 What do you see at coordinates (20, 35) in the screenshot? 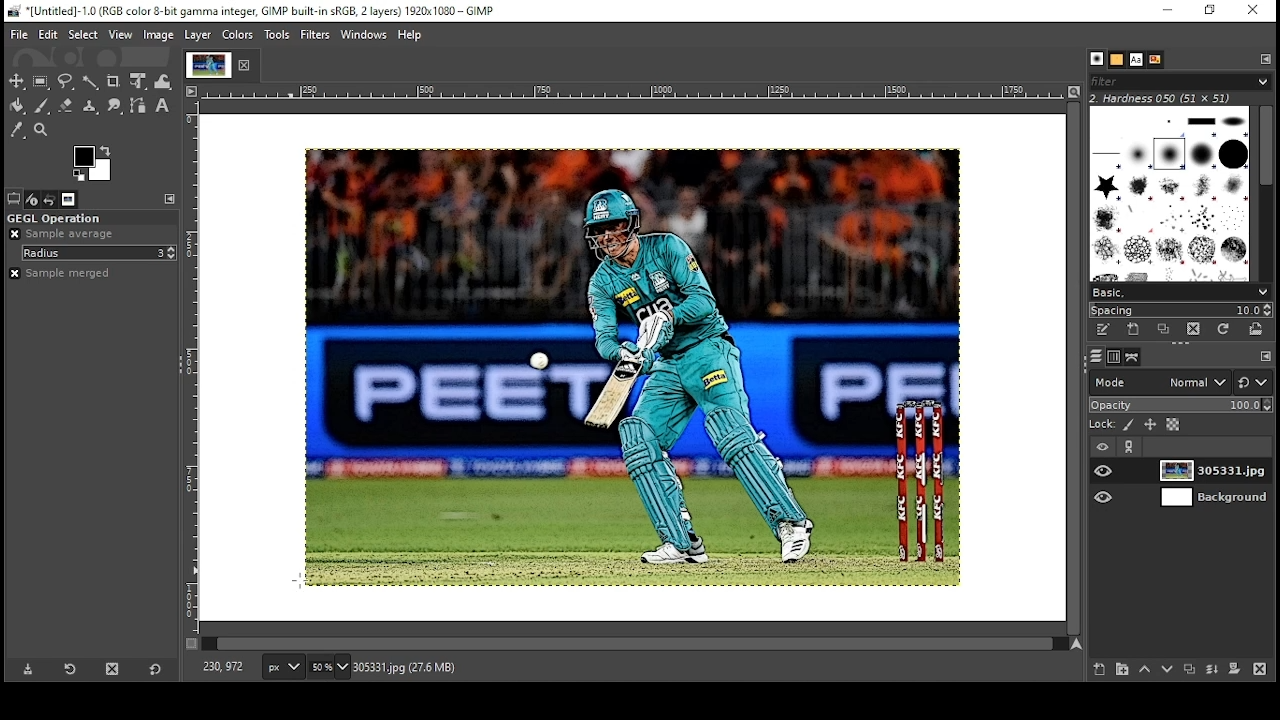
I see `file` at bounding box center [20, 35].